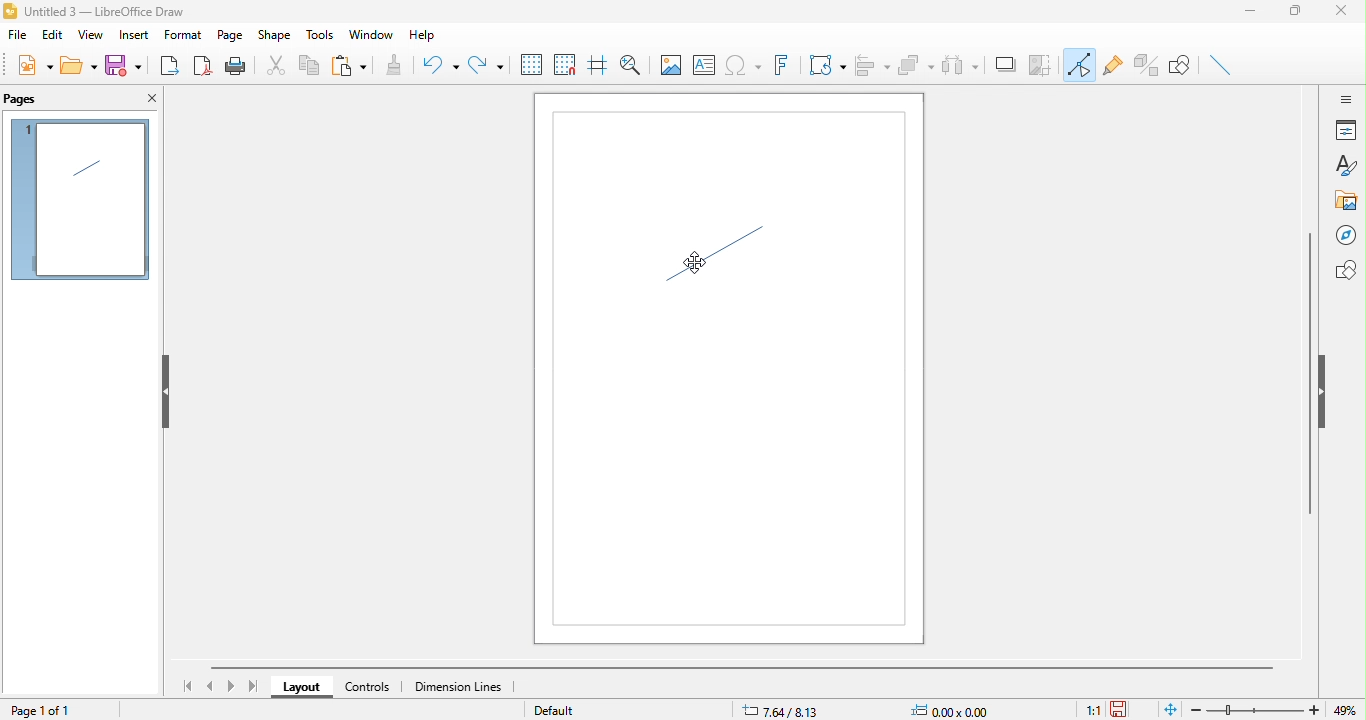 This screenshot has height=720, width=1366. What do you see at coordinates (1187, 67) in the screenshot?
I see `show the draw function` at bounding box center [1187, 67].